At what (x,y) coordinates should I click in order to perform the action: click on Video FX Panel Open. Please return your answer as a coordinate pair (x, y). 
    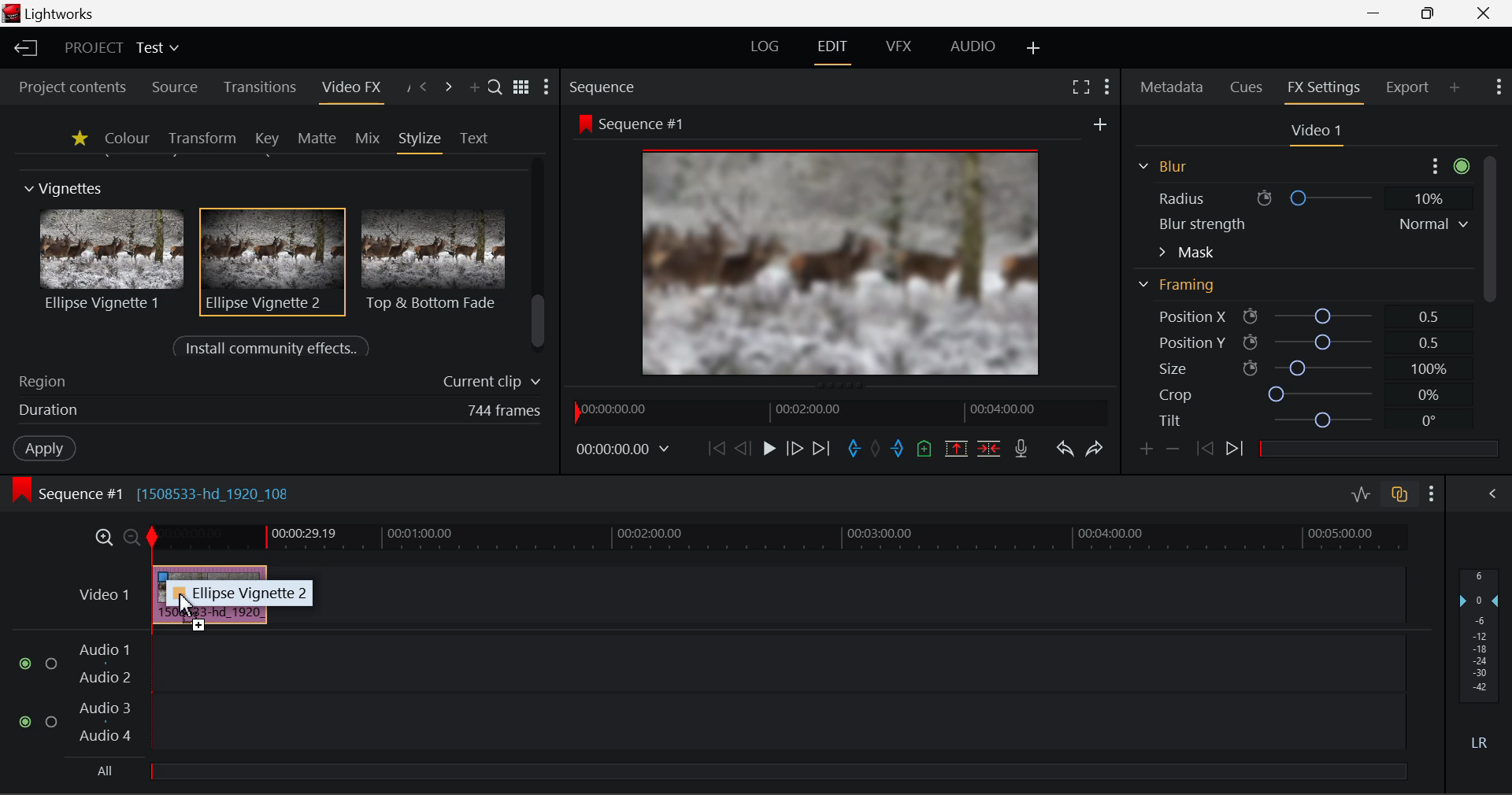
    Looking at the image, I should click on (355, 89).